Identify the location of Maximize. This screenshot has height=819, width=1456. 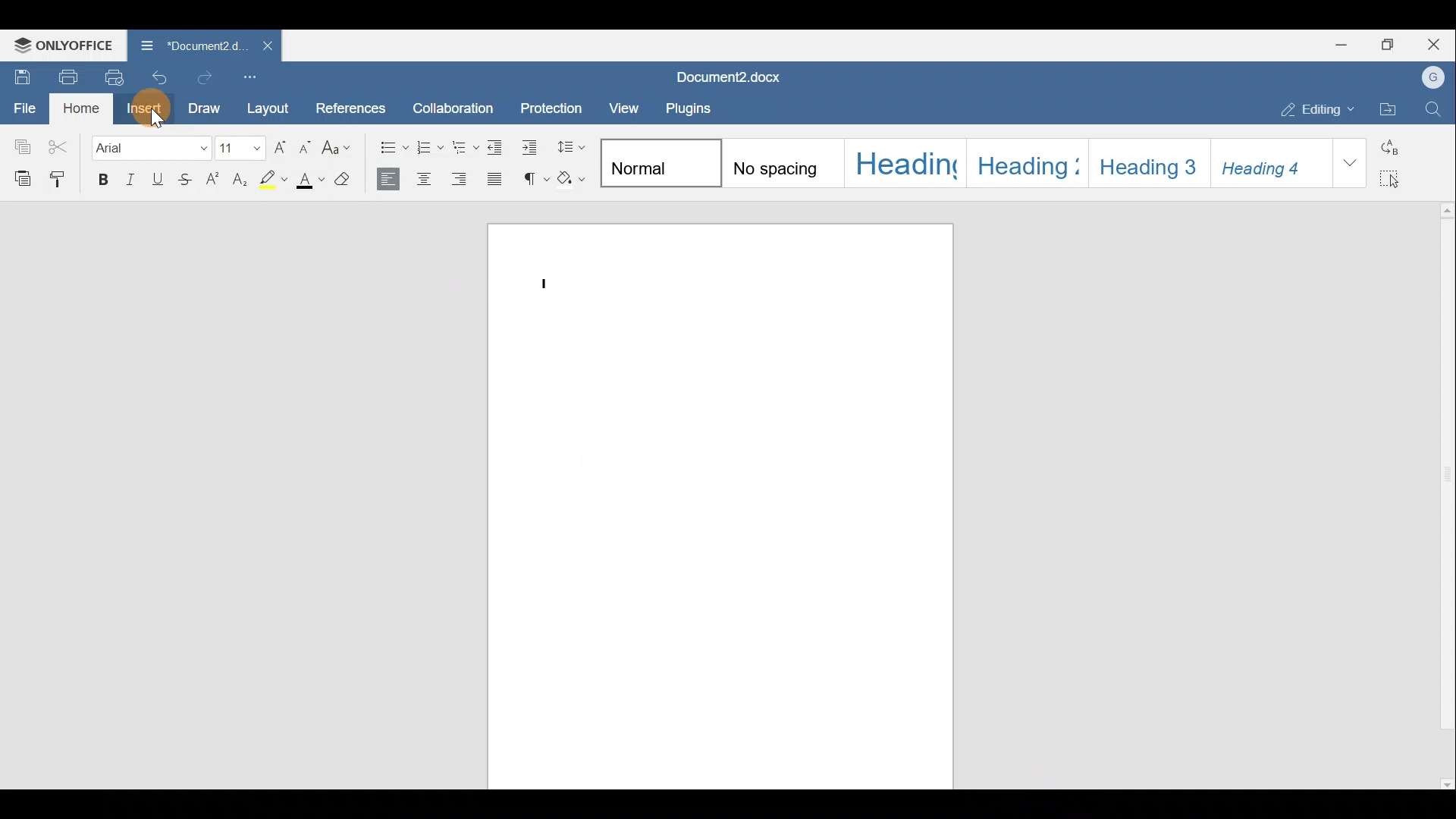
(1394, 43).